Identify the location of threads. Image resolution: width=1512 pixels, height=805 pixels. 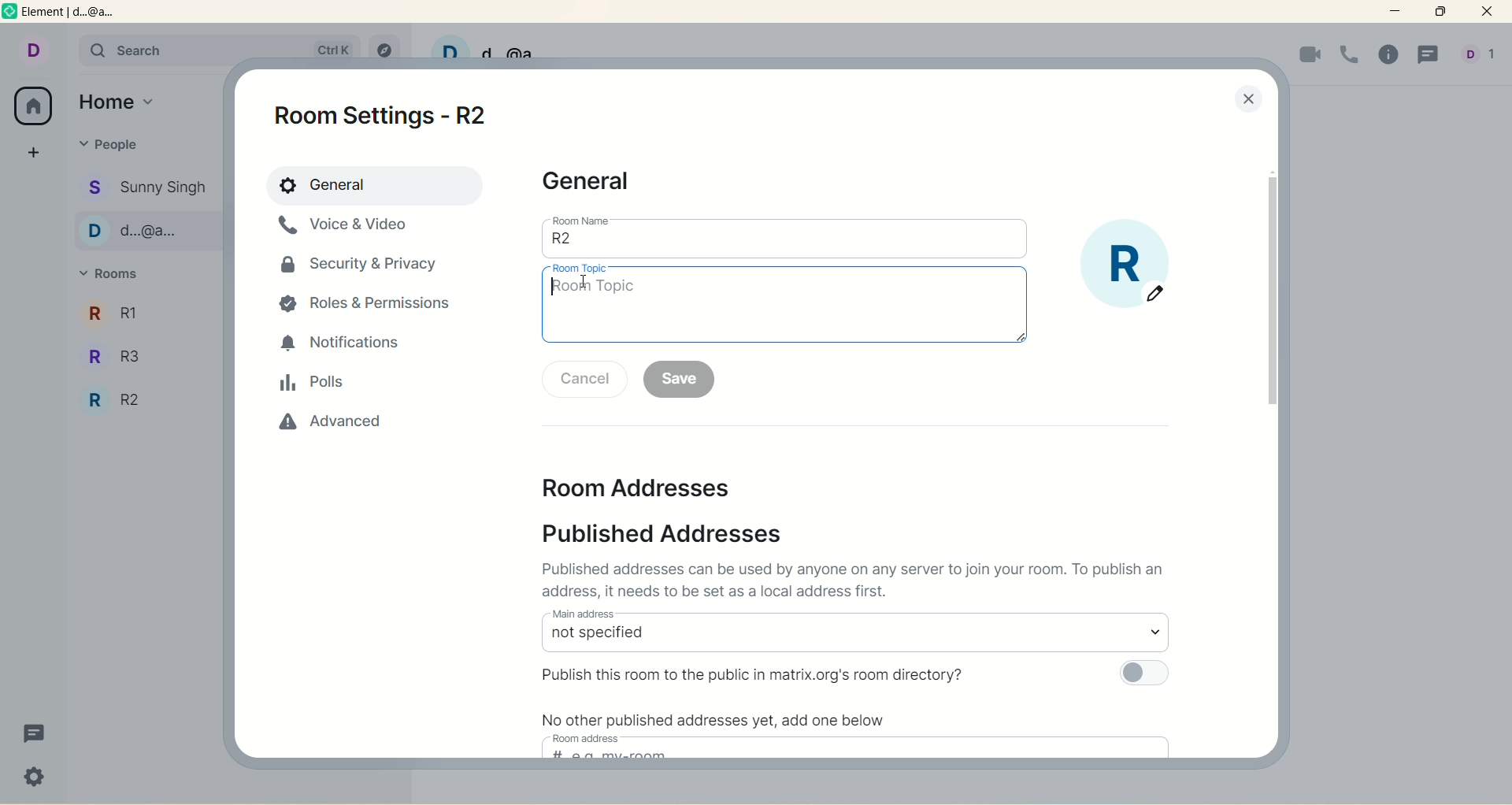
(35, 735).